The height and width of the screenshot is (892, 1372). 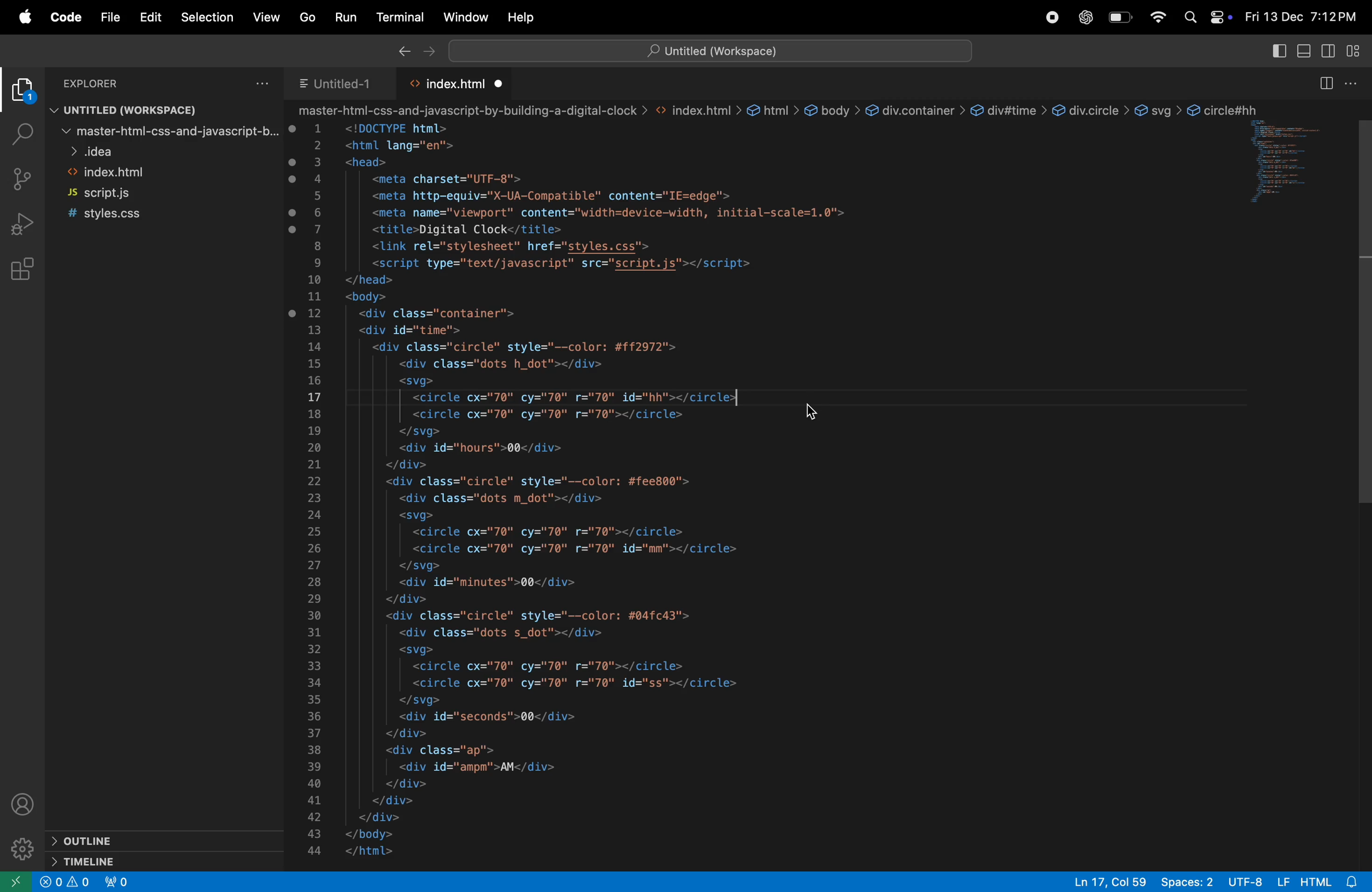 What do you see at coordinates (315, 491) in the screenshot?
I see `Line Number` at bounding box center [315, 491].